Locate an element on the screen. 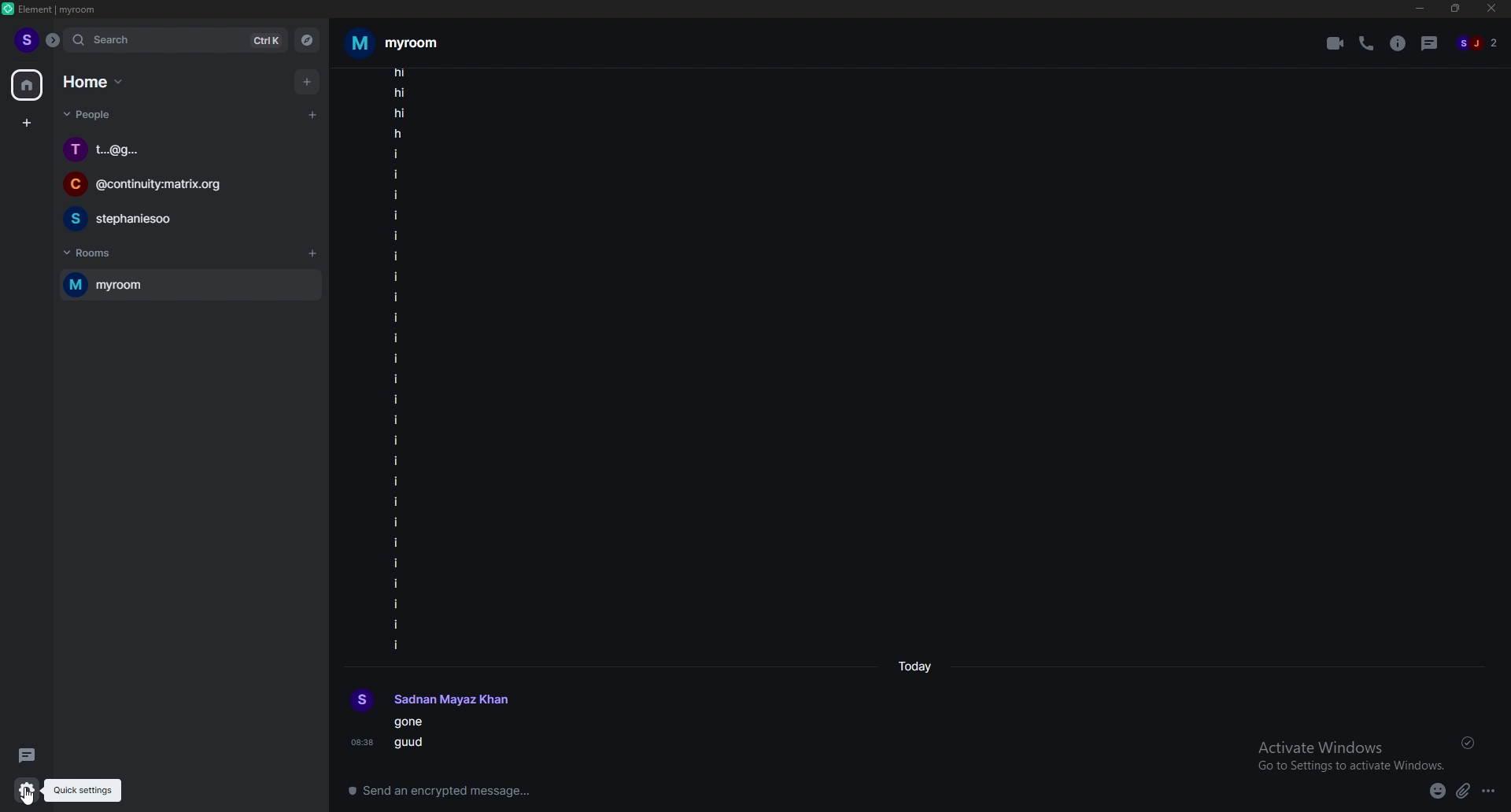  start chat is located at coordinates (312, 116).